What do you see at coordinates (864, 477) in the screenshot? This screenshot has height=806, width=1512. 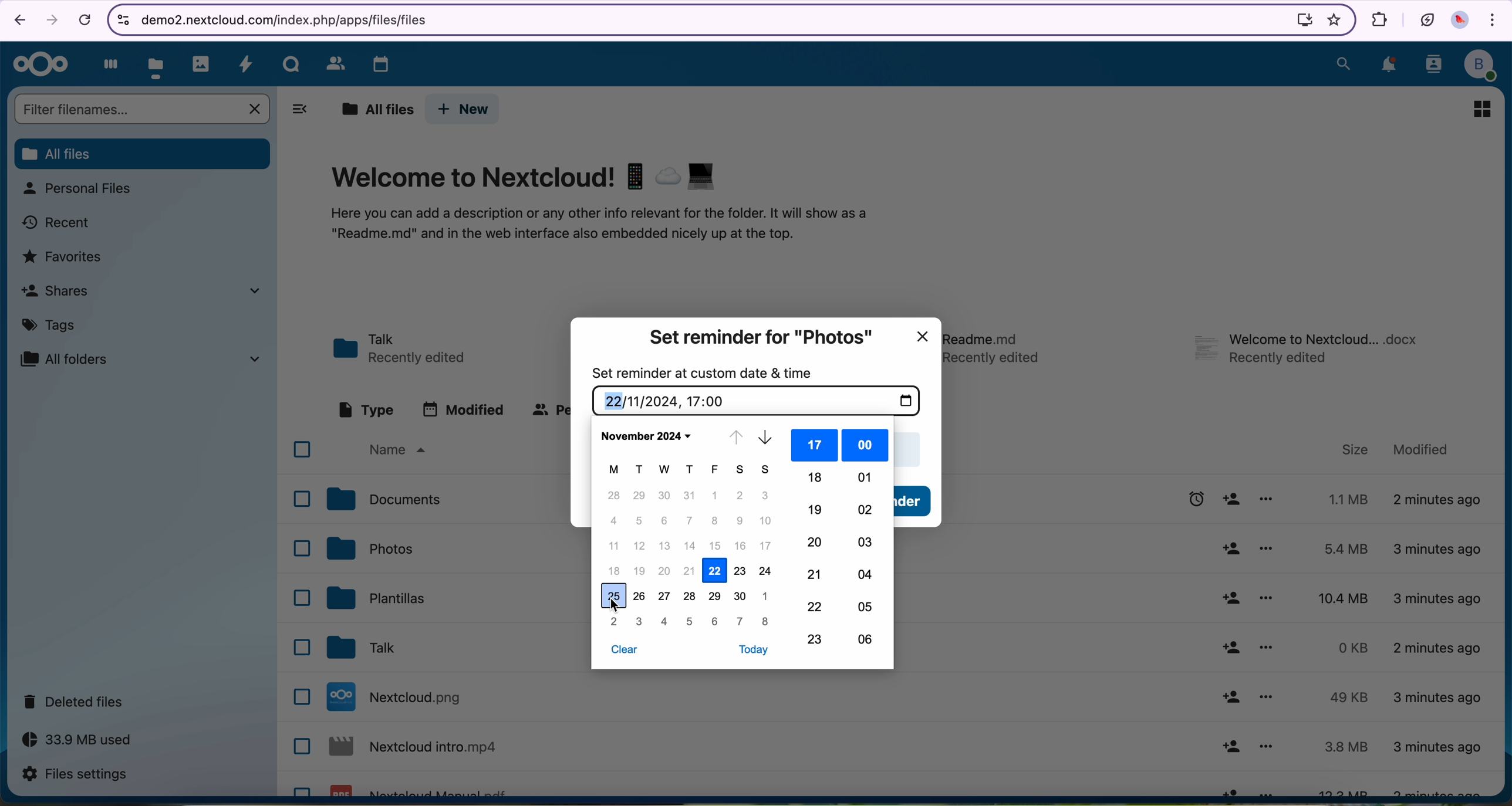 I see `01` at bounding box center [864, 477].